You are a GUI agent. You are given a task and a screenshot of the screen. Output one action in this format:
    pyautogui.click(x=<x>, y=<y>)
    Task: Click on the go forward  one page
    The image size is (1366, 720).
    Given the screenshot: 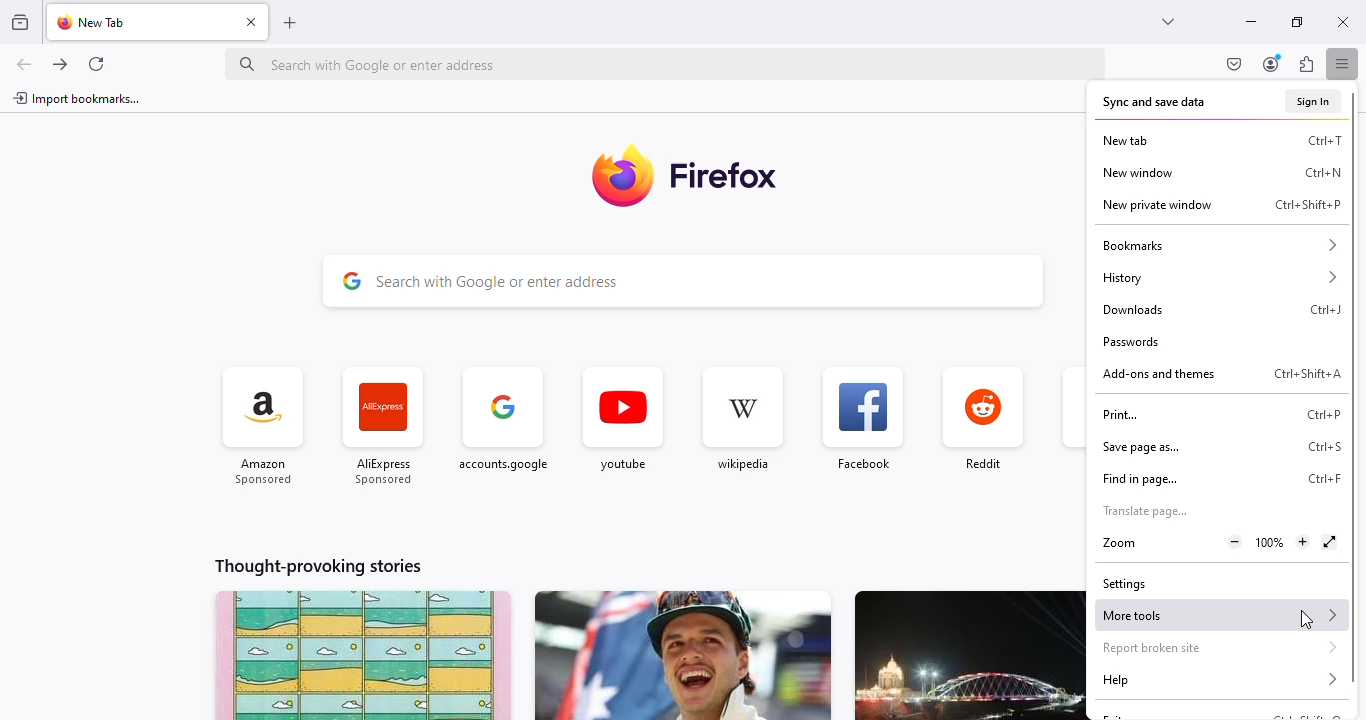 What is the action you would take?
    pyautogui.click(x=61, y=64)
    